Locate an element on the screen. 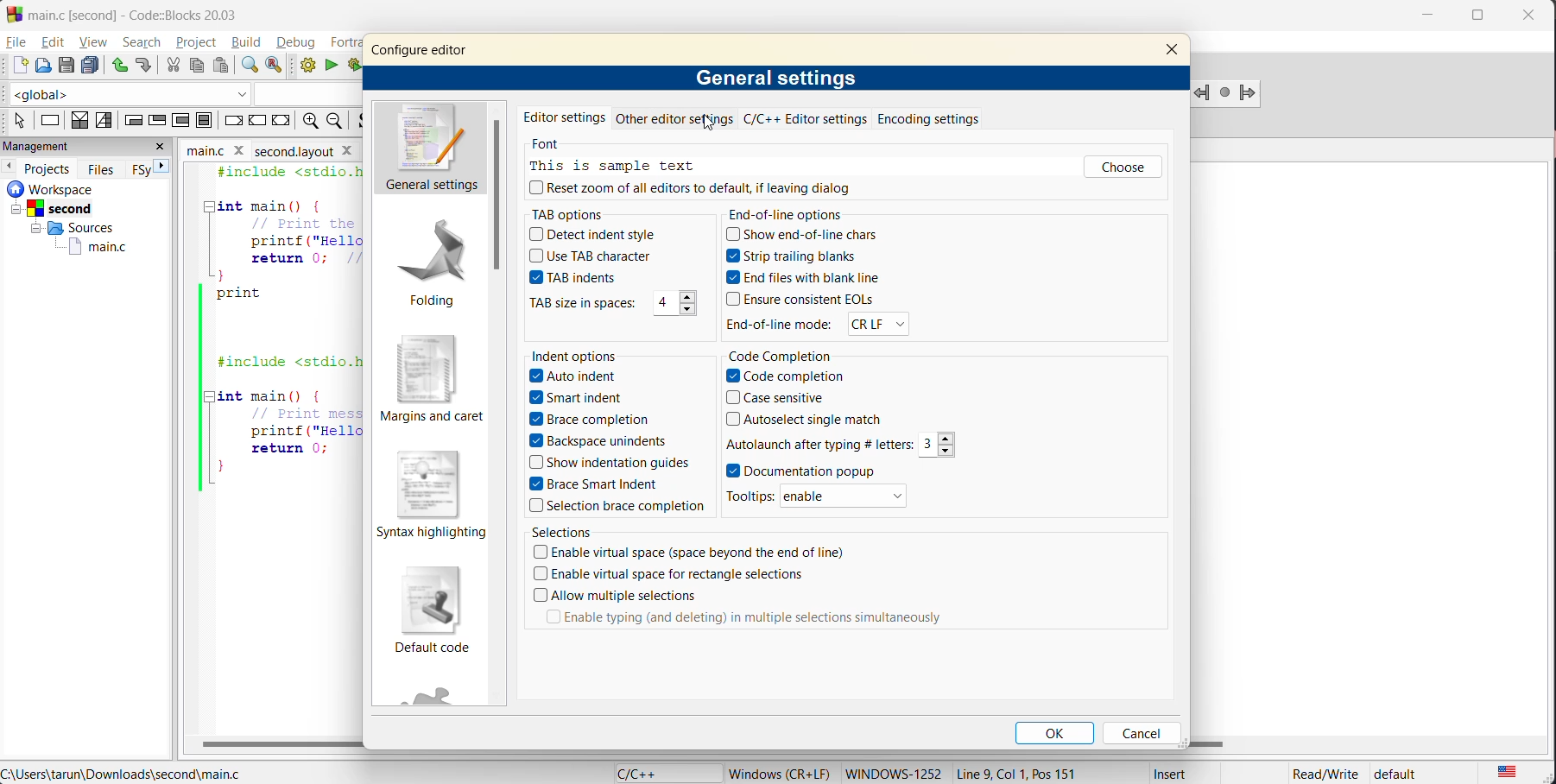 This screenshot has width=1556, height=784. zoom in is located at coordinates (336, 123).